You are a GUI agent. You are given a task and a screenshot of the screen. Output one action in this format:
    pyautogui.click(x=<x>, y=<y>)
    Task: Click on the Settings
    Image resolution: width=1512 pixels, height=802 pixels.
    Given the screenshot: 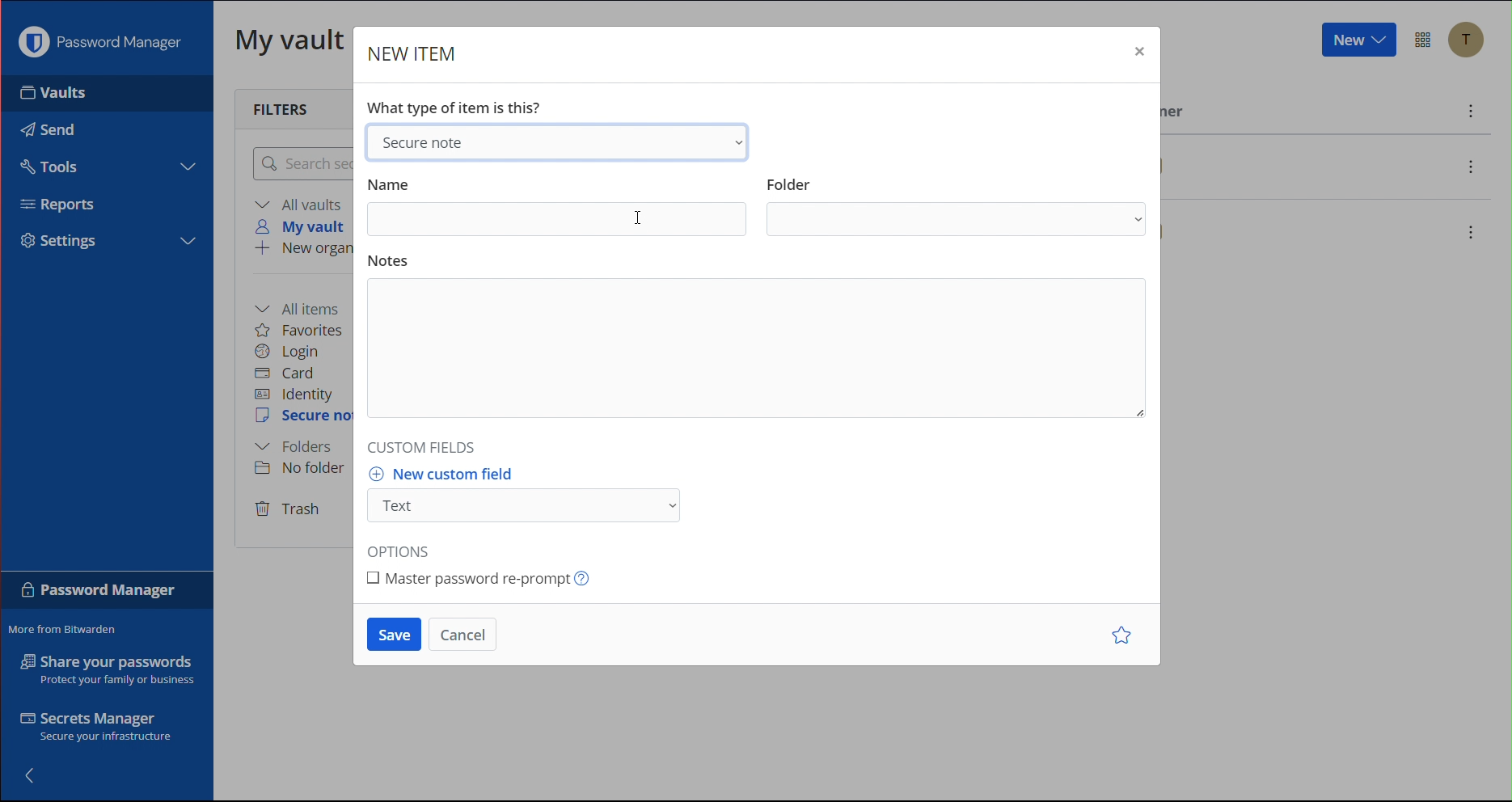 What is the action you would take?
    pyautogui.click(x=59, y=243)
    